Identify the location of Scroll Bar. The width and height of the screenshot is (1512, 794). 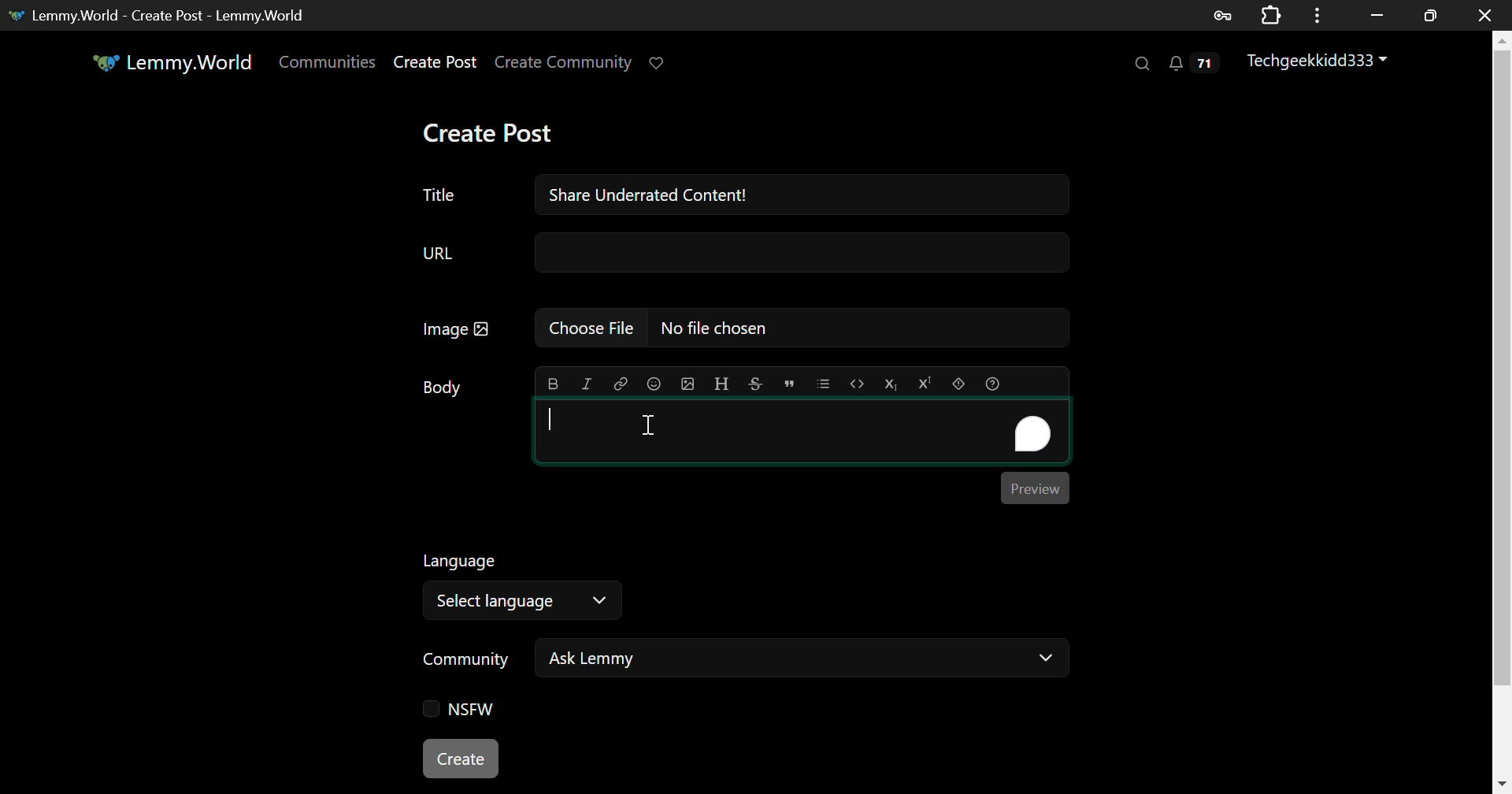
(1503, 404).